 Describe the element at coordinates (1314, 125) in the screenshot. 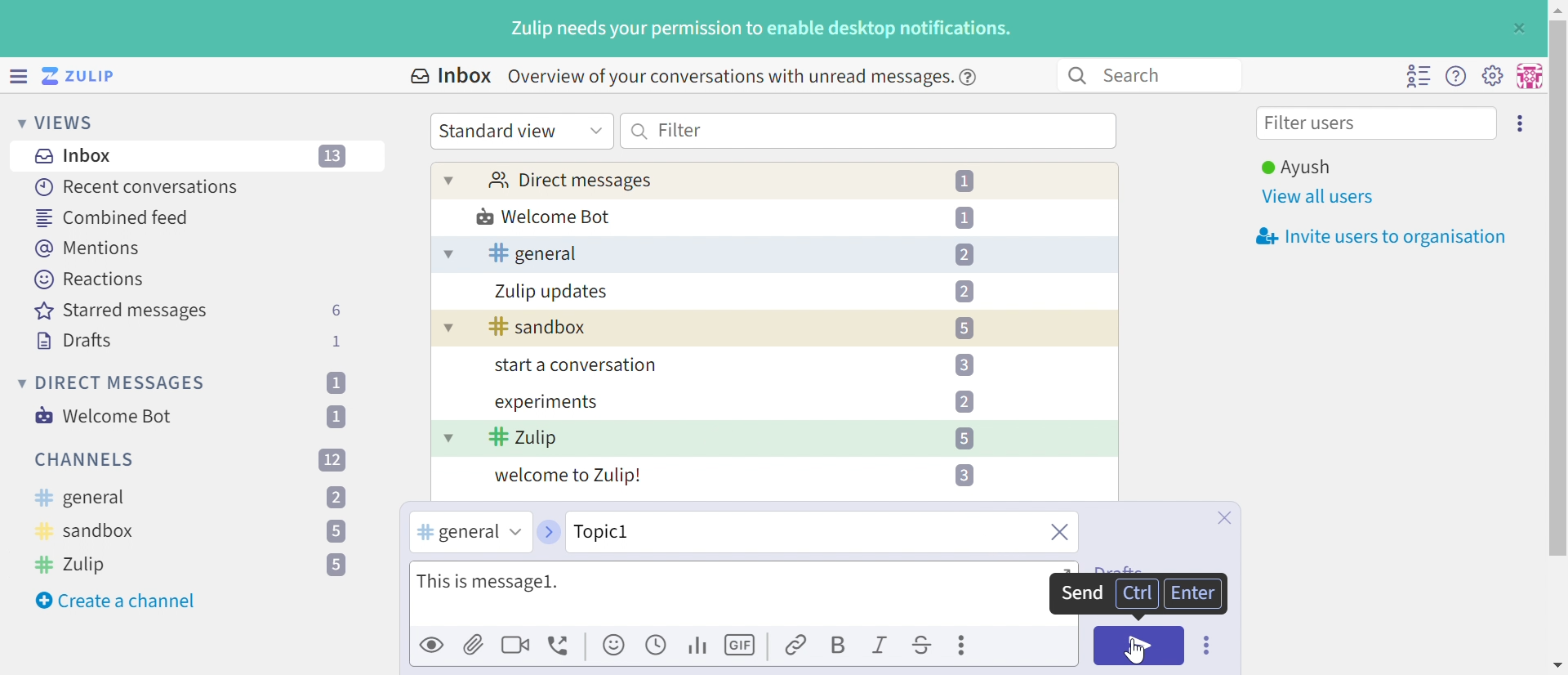

I see `Filter users` at that location.